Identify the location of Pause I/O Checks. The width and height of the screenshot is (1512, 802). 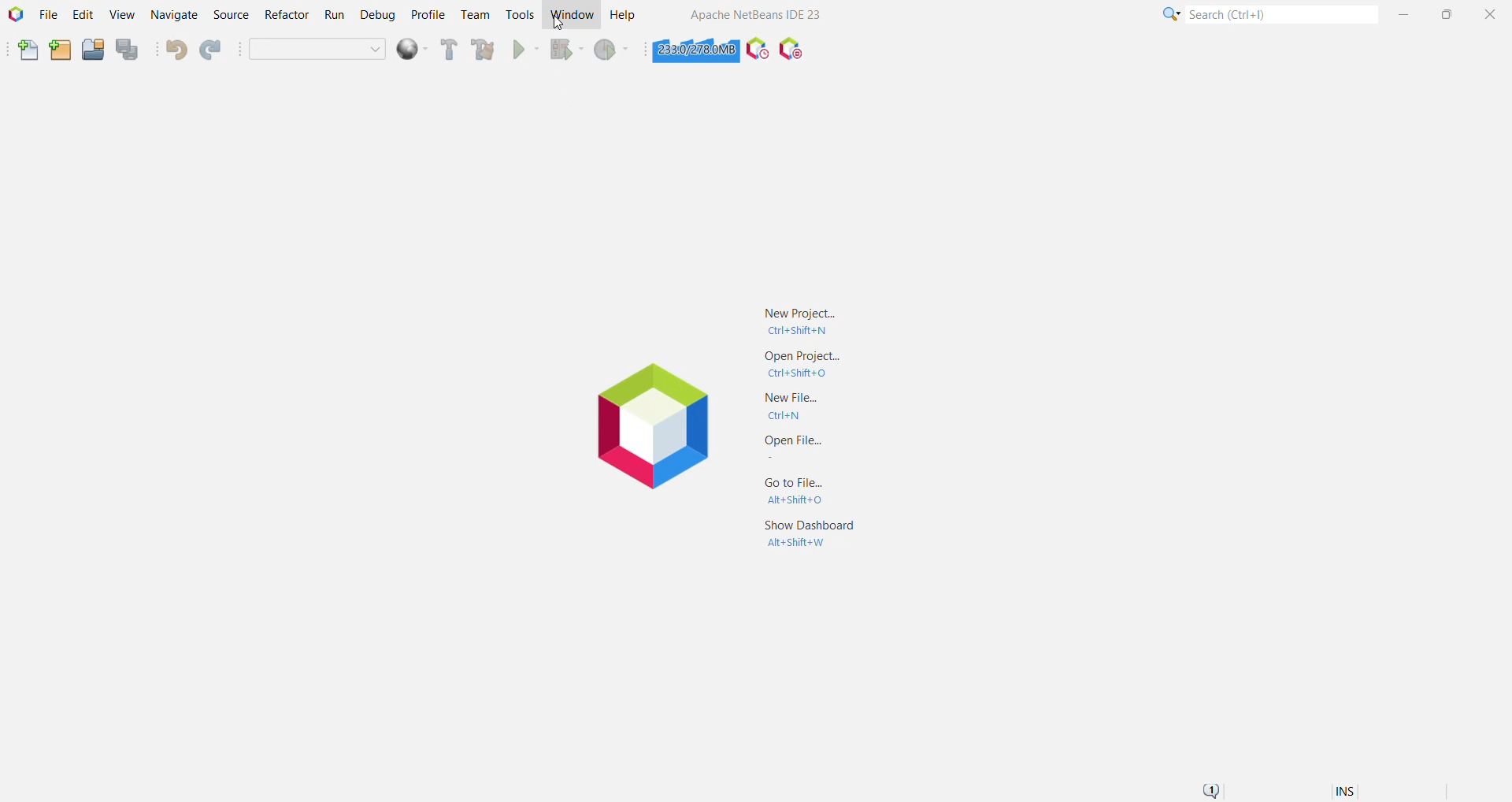
(791, 50).